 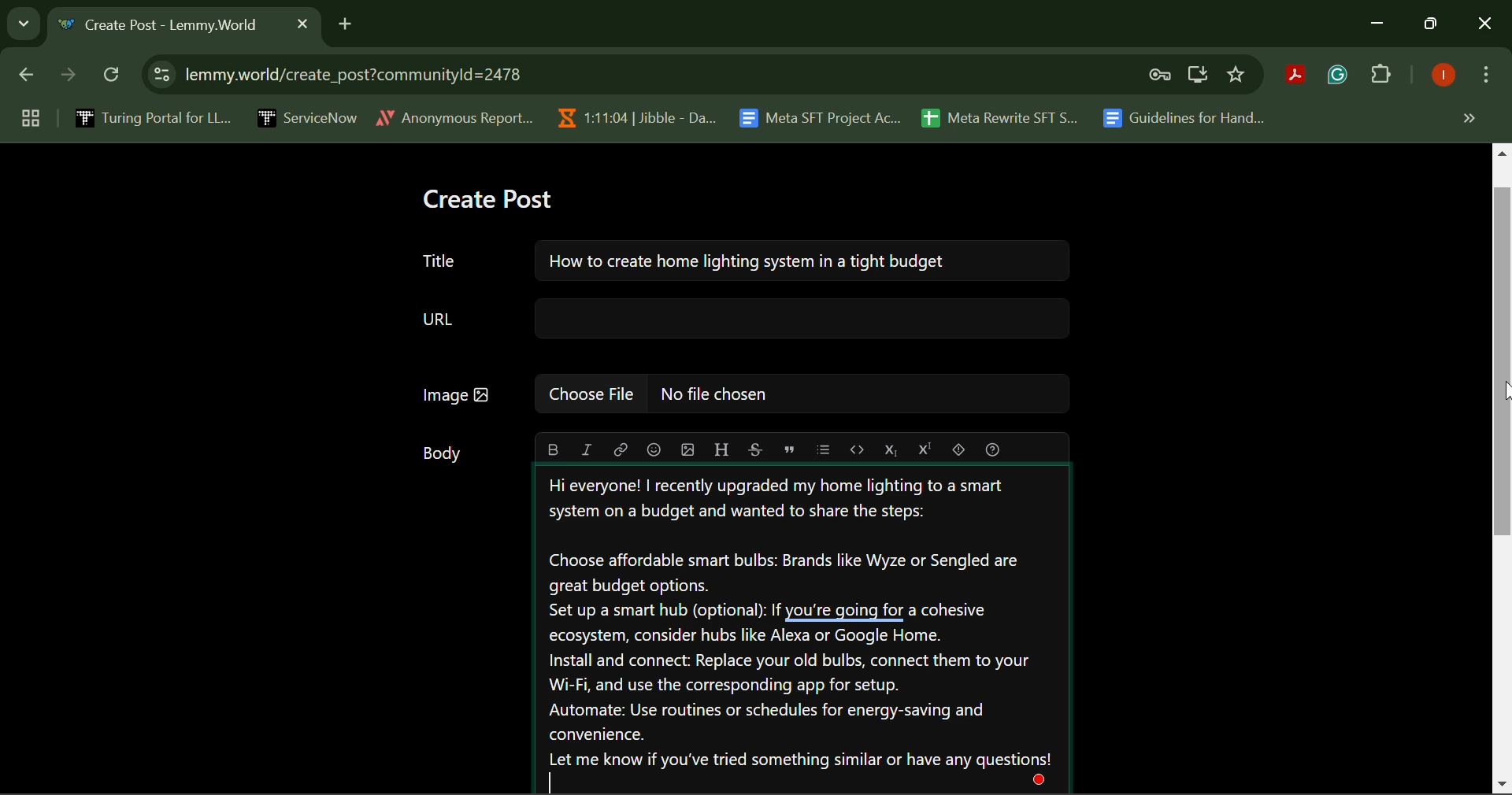 I want to click on Minimize Down, so click(x=1380, y=24).